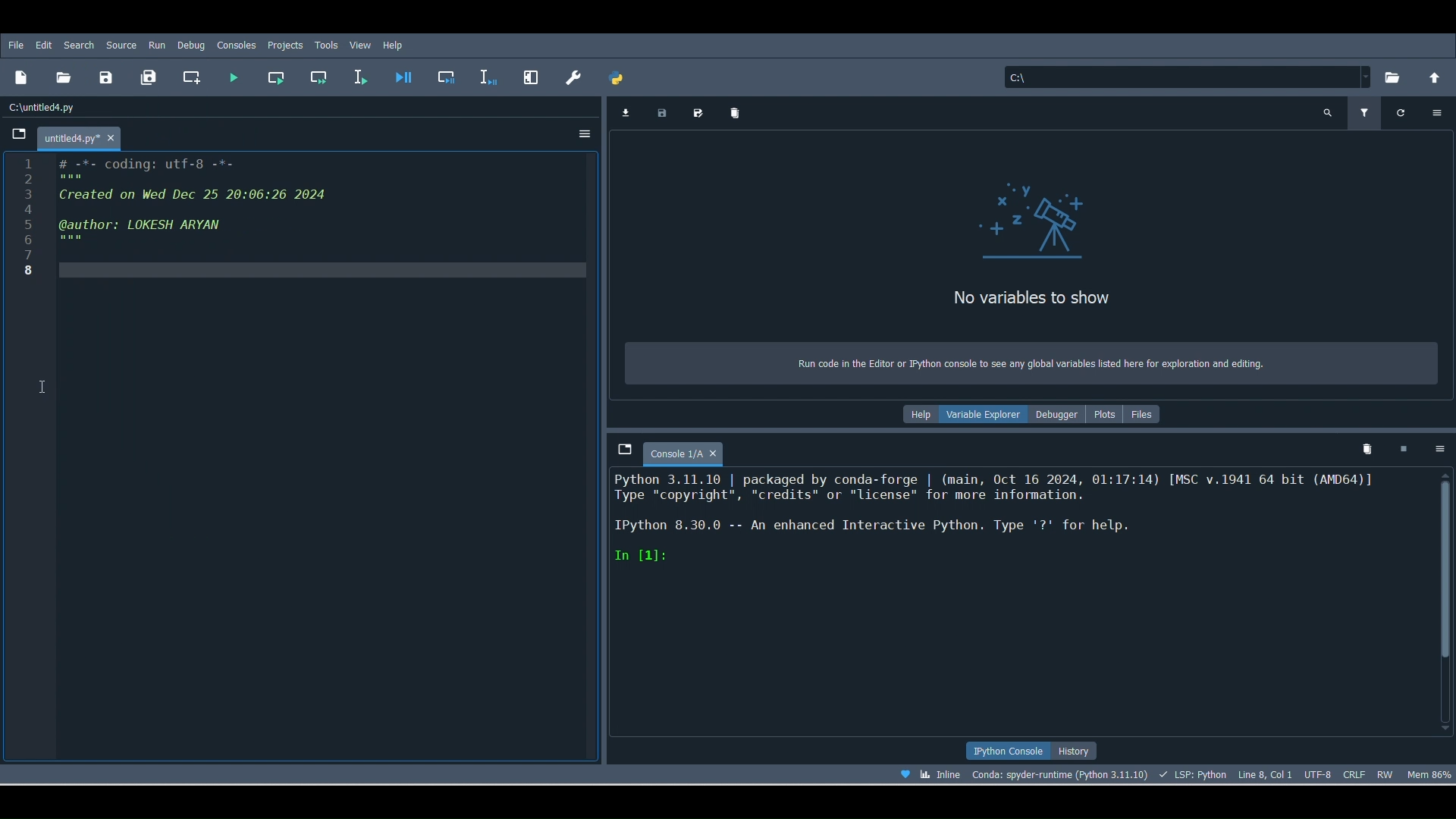 This screenshot has width=1456, height=819. Describe the element at coordinates (1439, 112) in the screenshot. I see `Options` at that location.